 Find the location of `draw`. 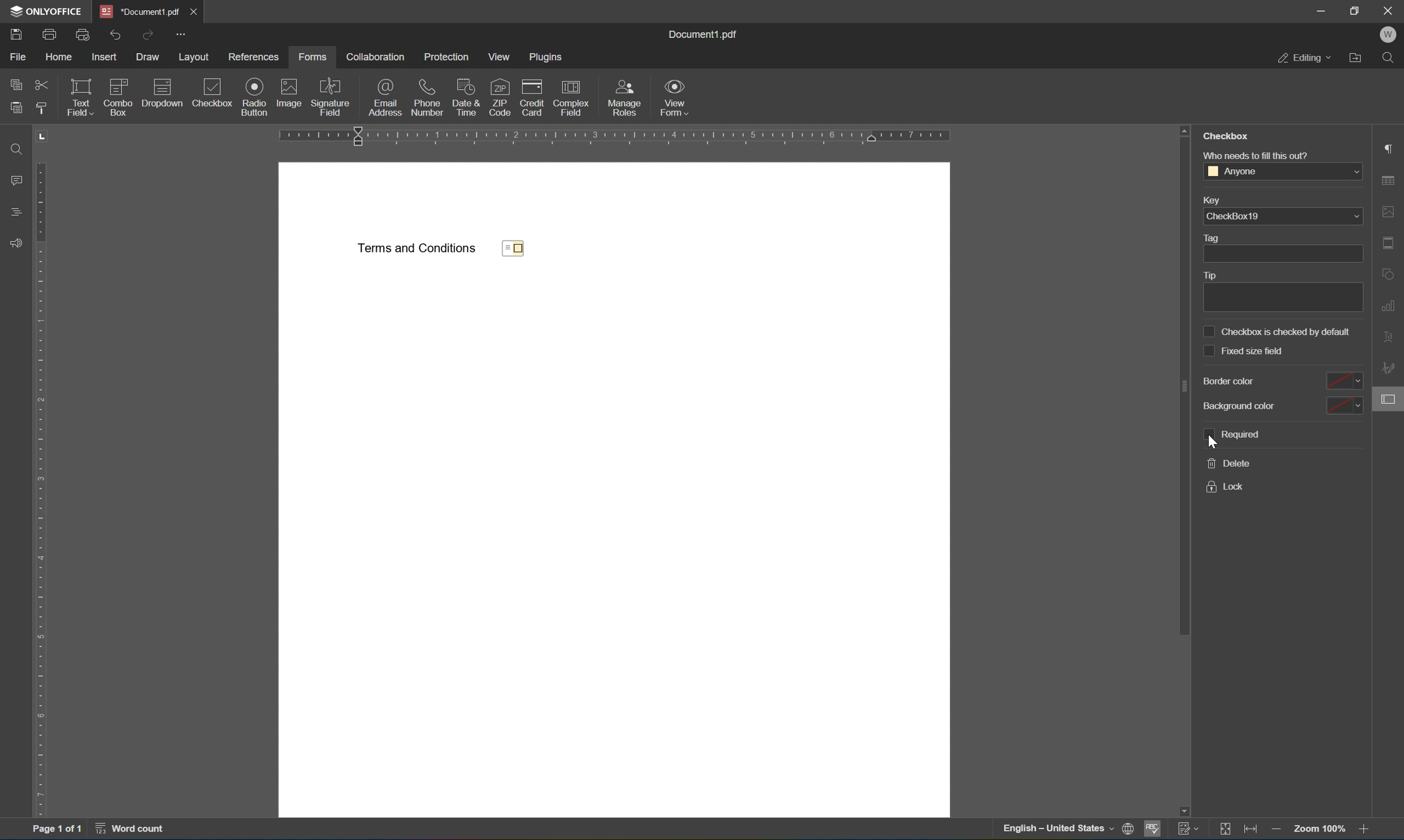

draw is located at coordinates (149, 58).